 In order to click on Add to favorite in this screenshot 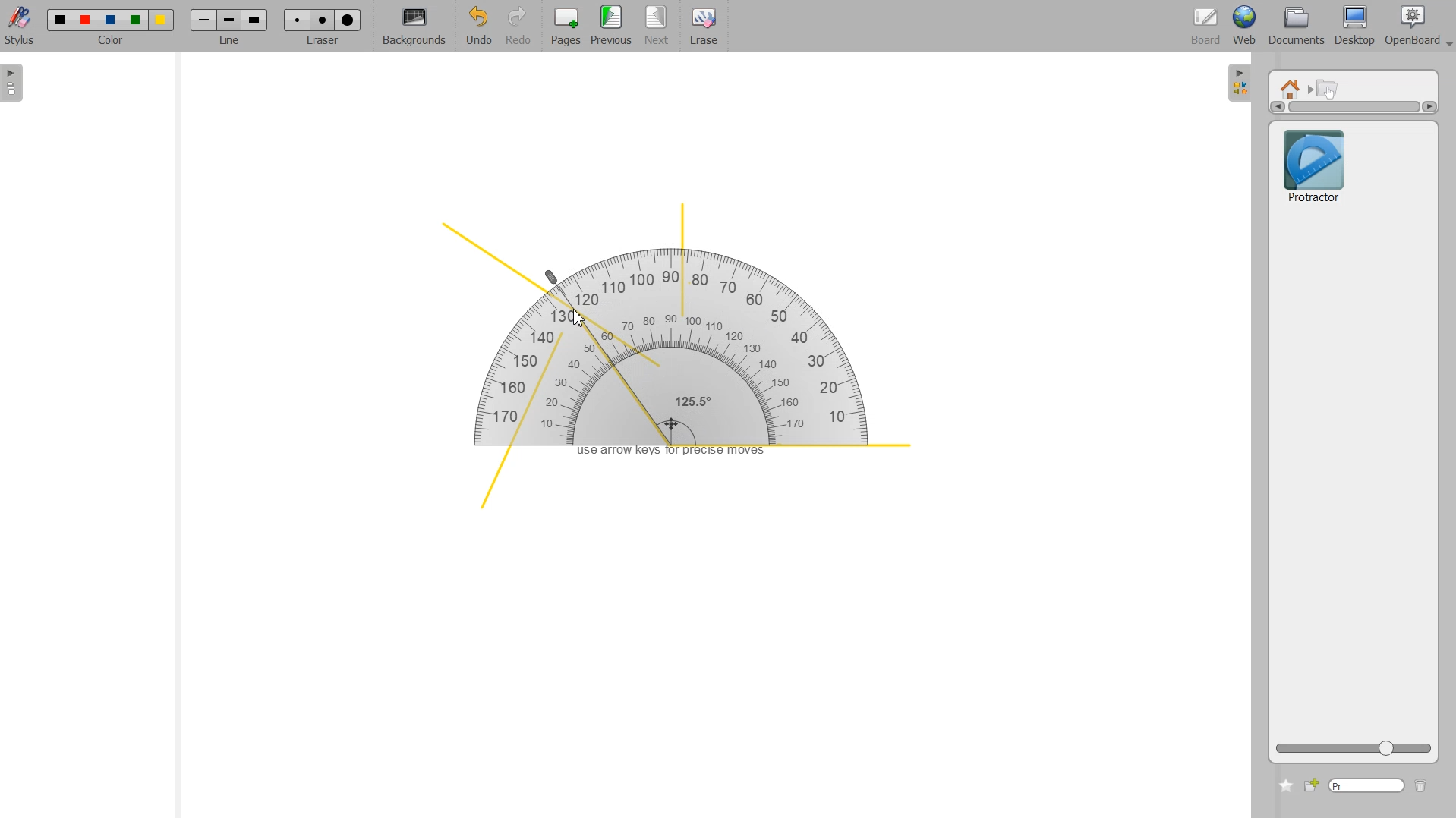, I will do `click(1285, 785)`.